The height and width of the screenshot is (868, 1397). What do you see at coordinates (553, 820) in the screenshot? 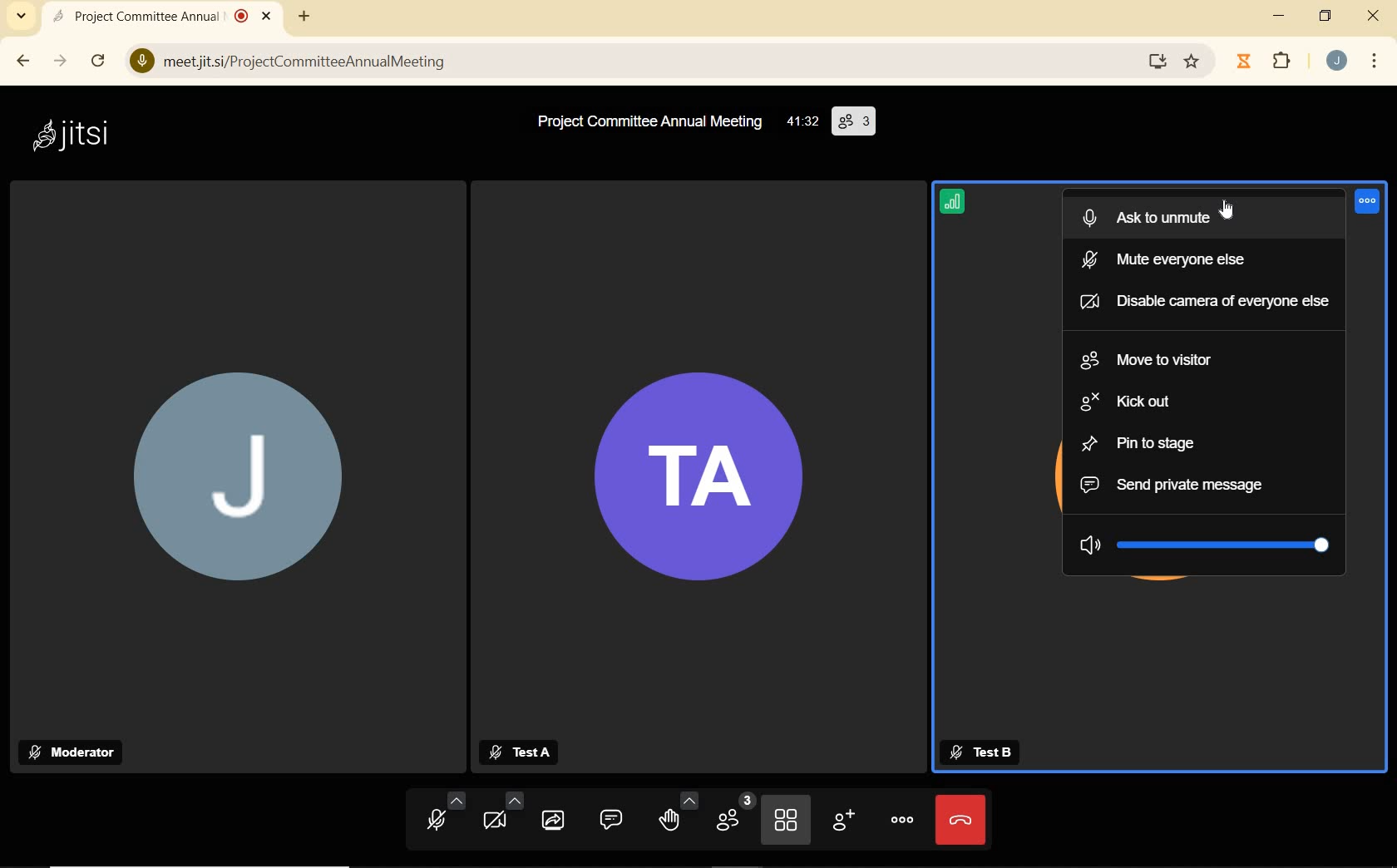
I see `START SCREEN SHARING` at bounding box center [553, 820].